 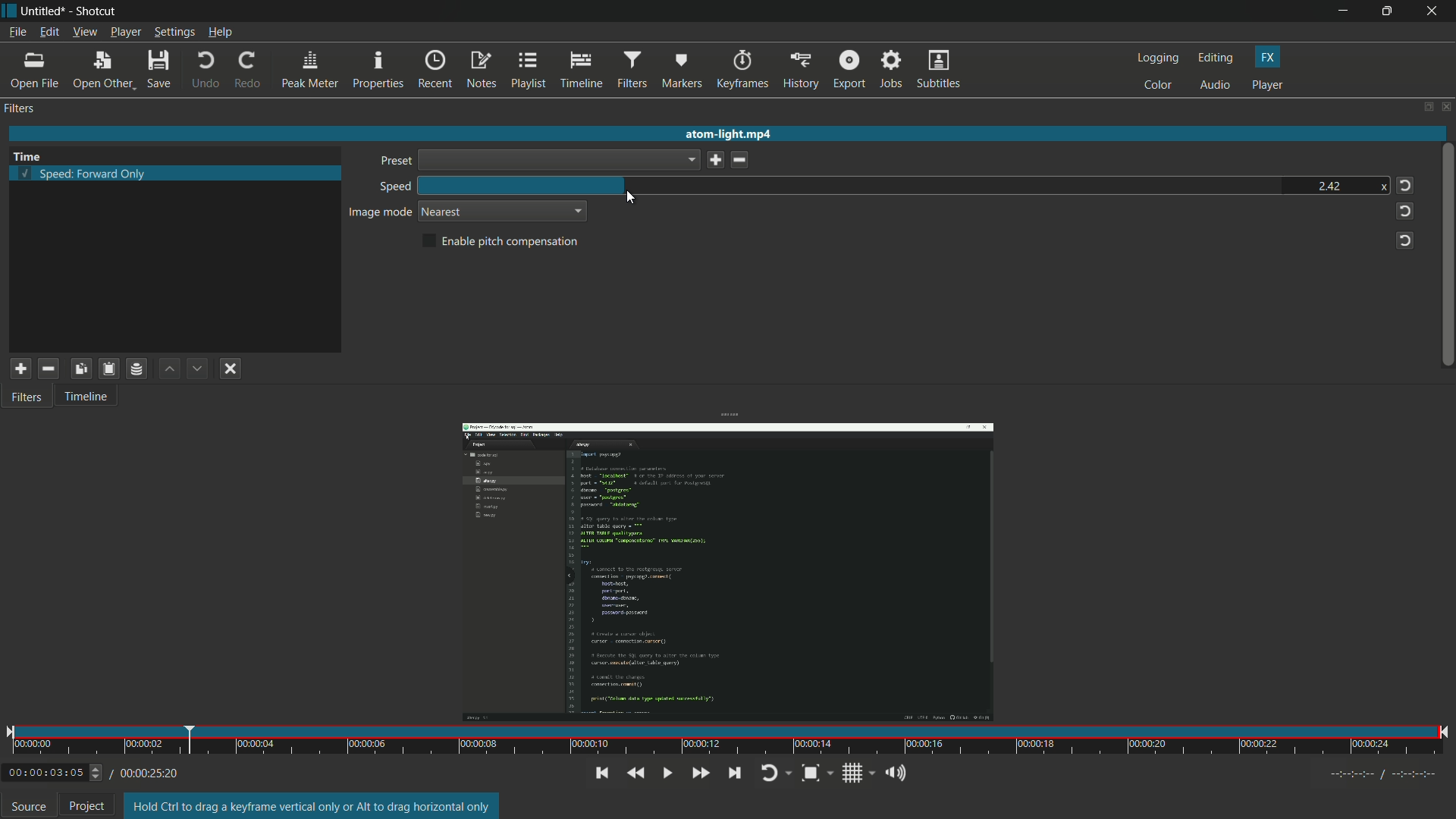 What do you see at coordinates (49, 32) in the screenshot?
I see `edit menu` at bounding box center [49, 32].